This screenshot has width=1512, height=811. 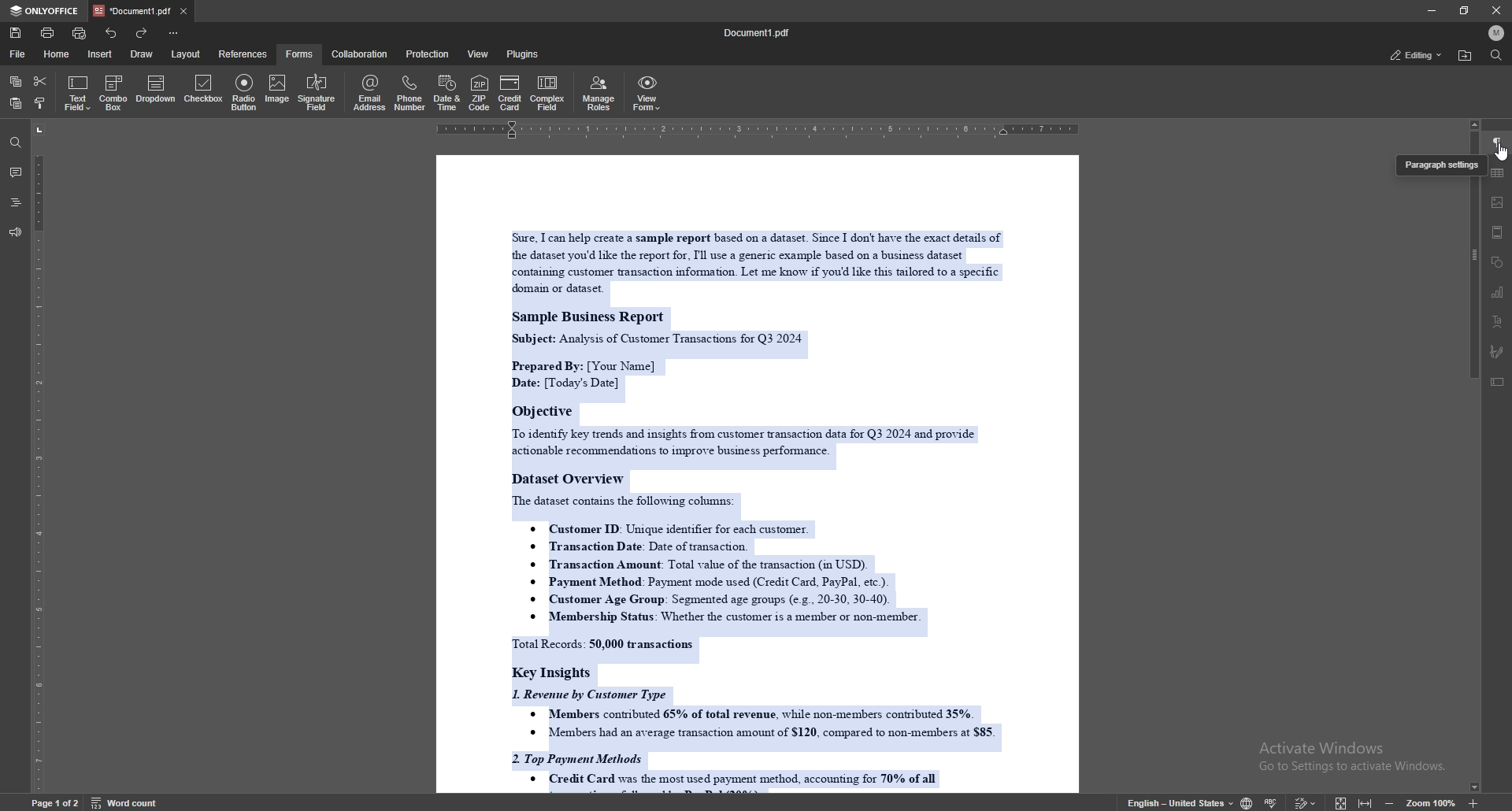 I want to click on change text language, so click(x=1180, y=802).